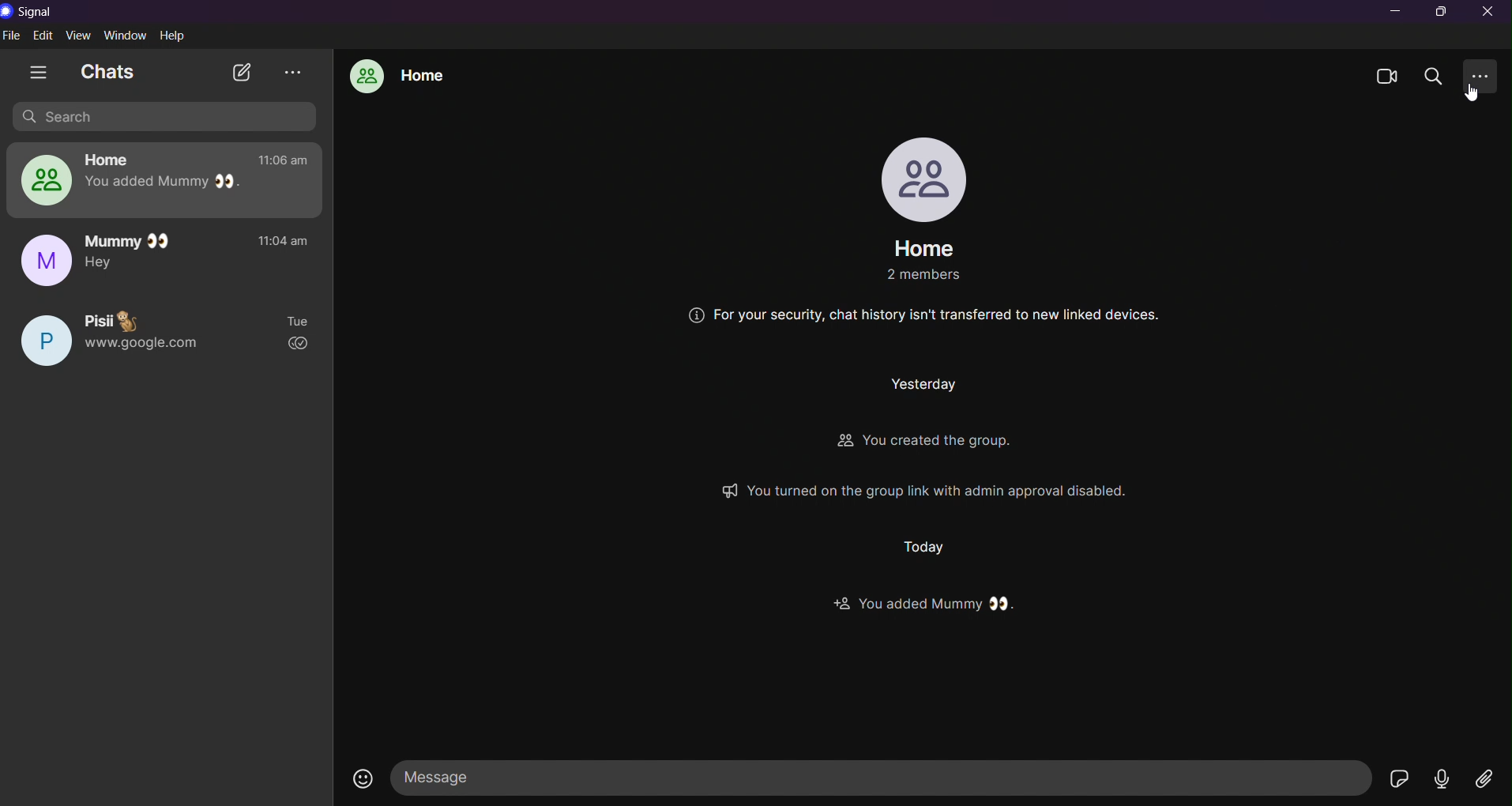  What do you see at coordinates (1439, 777) in the screenshot?
I see `voice message` at bounding box center [1439, 777].